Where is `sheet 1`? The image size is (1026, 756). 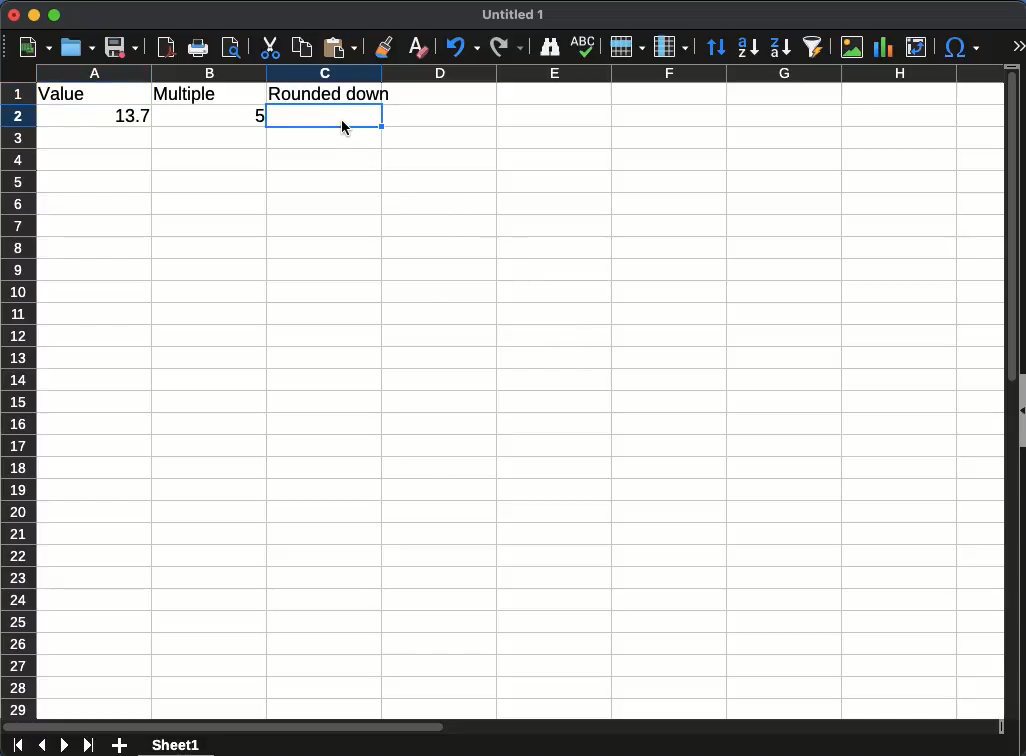 sheet 1 is located at coordinates (174, 746).